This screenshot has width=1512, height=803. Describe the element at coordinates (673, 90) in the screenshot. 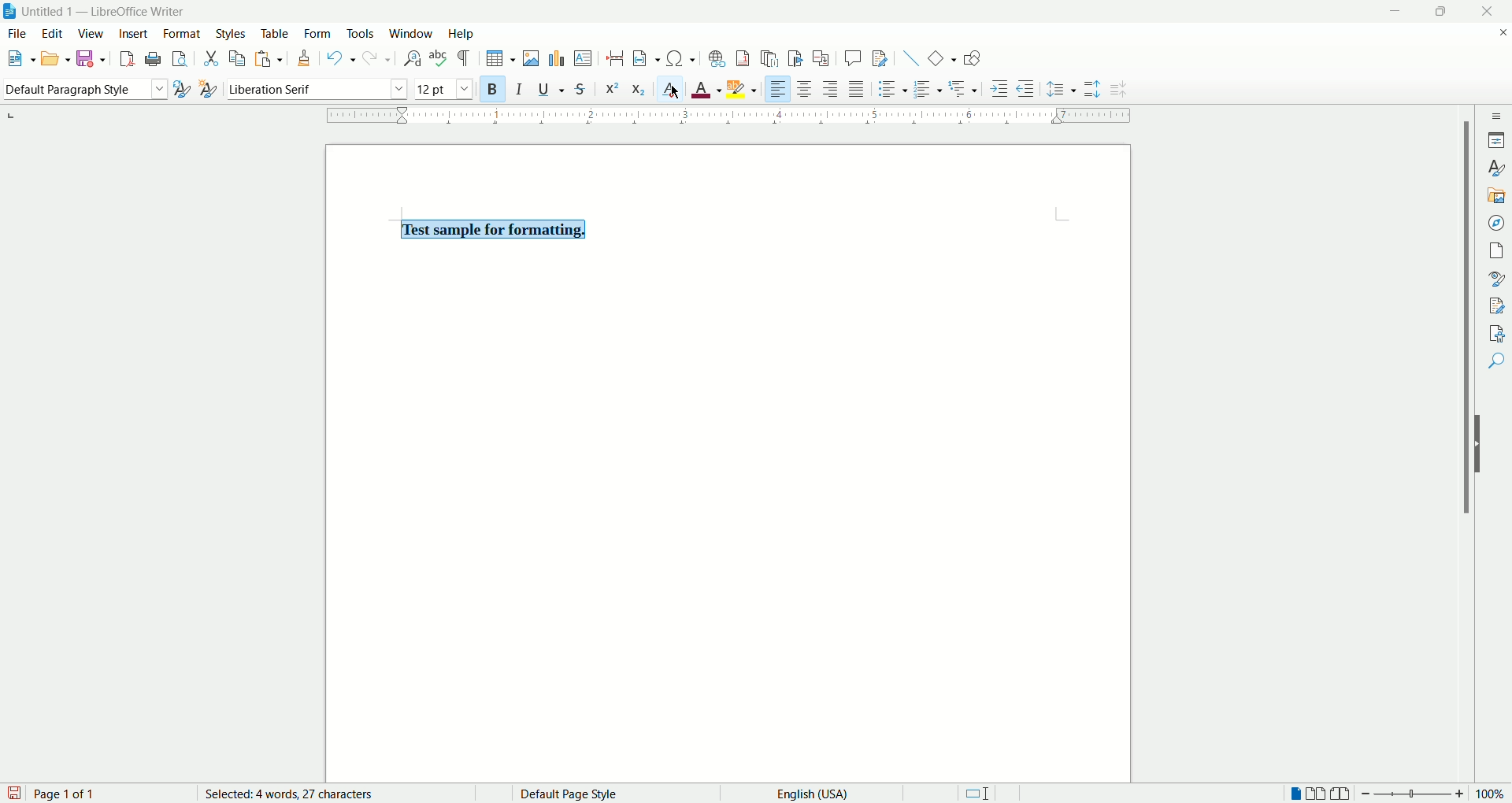

I see `clear formatting` at that location.